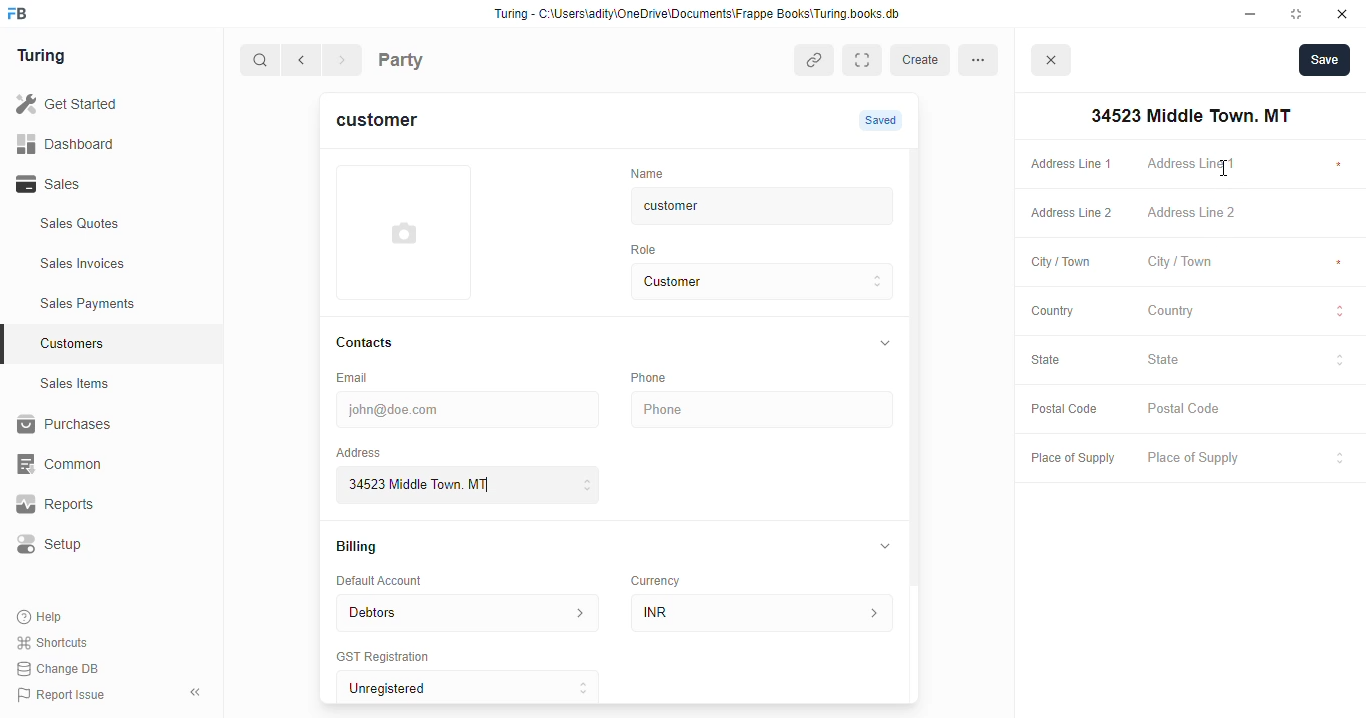 The height and width of the screenshot is (718, 1366). Describe the element at coordinates (866, 60) in the screenshot. I see `Expand` at that location.